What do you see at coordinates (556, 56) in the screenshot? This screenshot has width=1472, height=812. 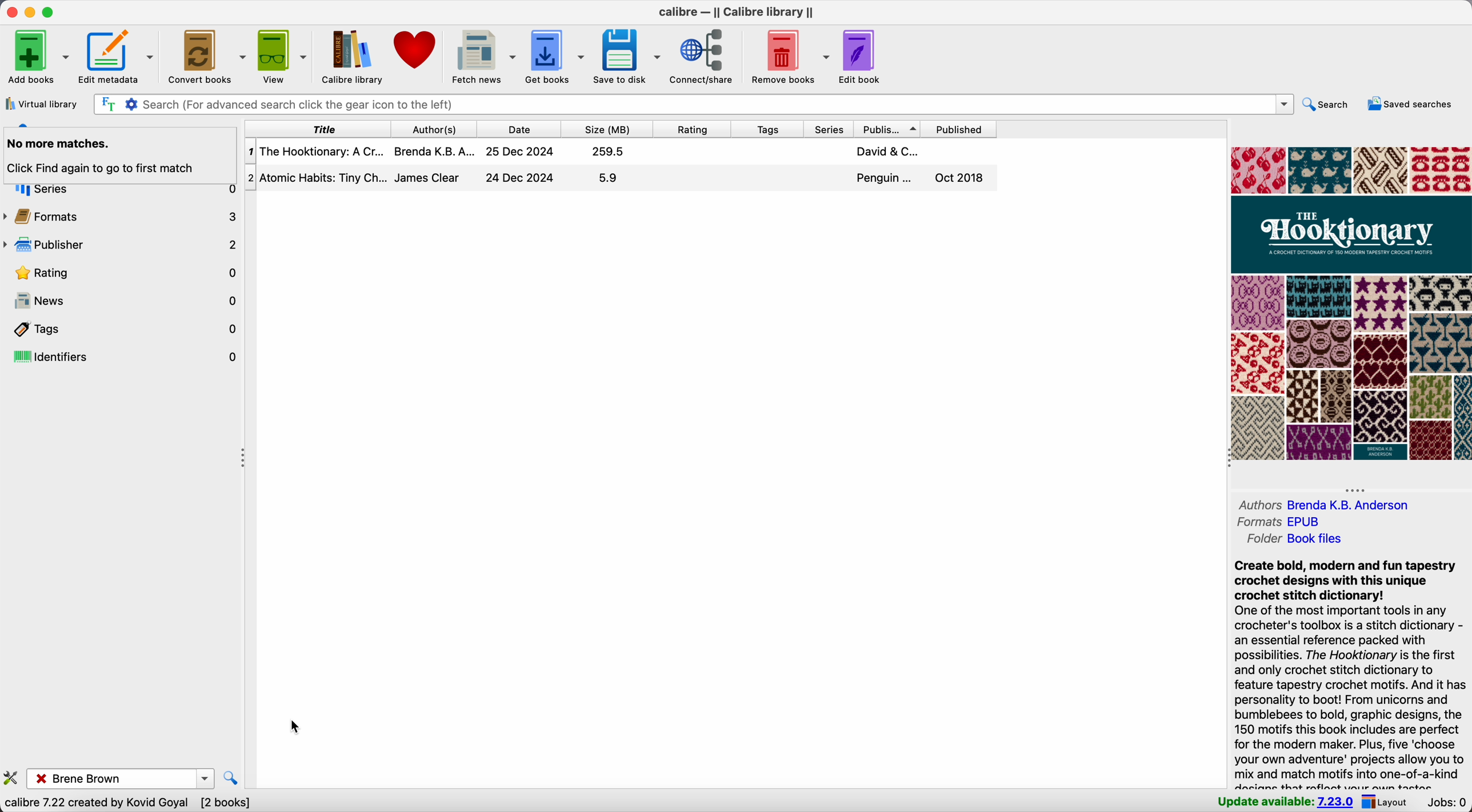 I see `get books` at bounding box center [556, 56].